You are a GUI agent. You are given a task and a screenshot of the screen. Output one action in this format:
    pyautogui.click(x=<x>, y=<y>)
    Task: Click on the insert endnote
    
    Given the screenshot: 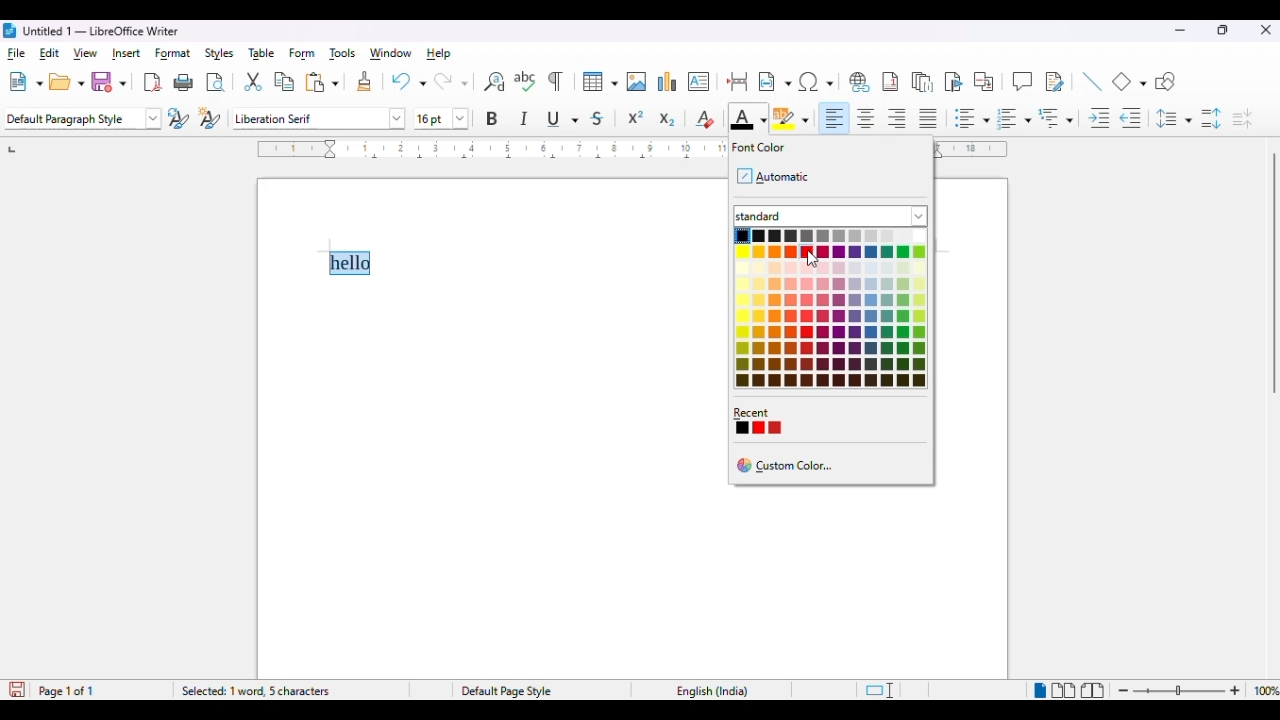 What is the action you would take?
    pyautogui.click(x=923, y=82)
    